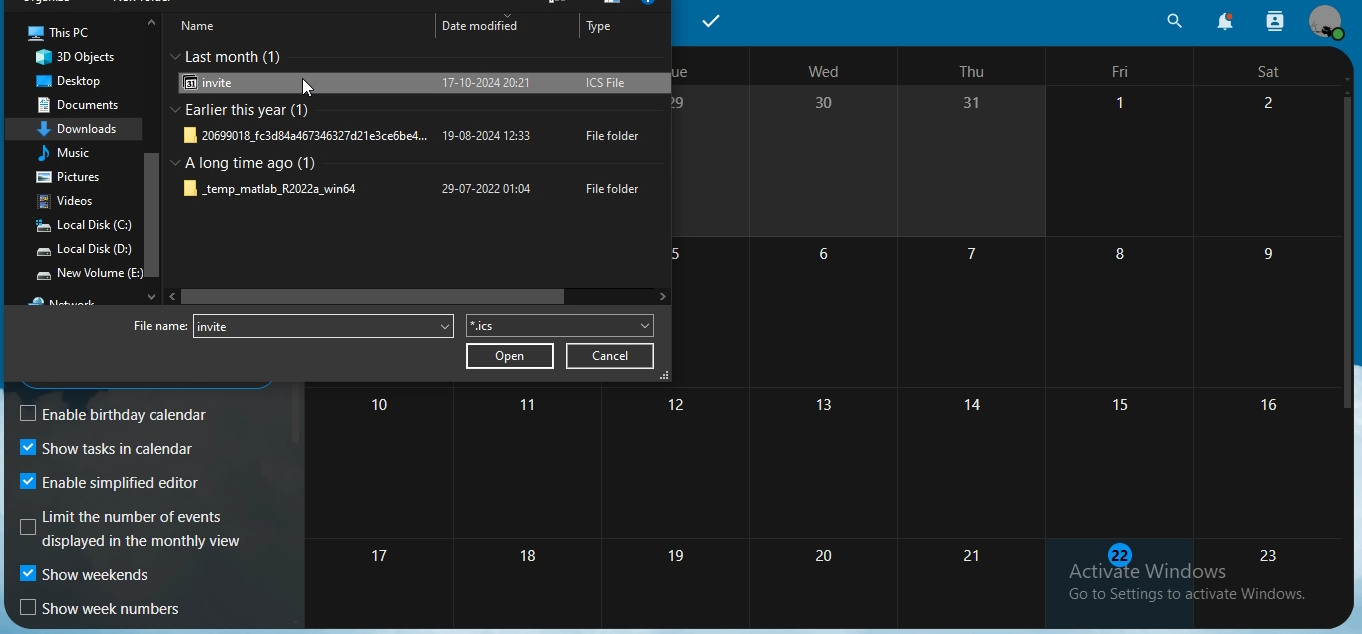 The height and width of the screenshot is (634, 1362). Describe the element at coordinates (602, 30) in the screenshot. I see `type` at that location.